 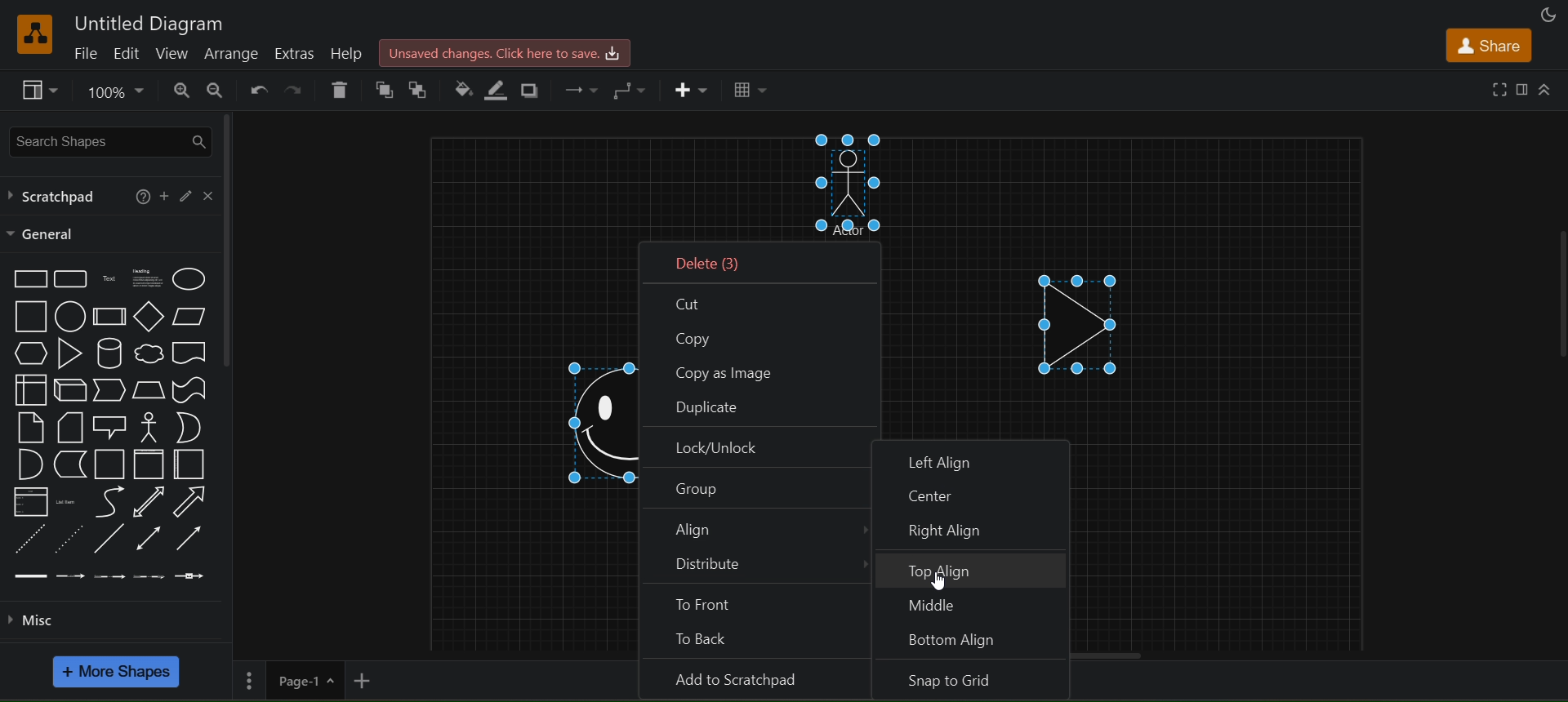 I want to click on untitled diagram, so click(x=152, y=22).